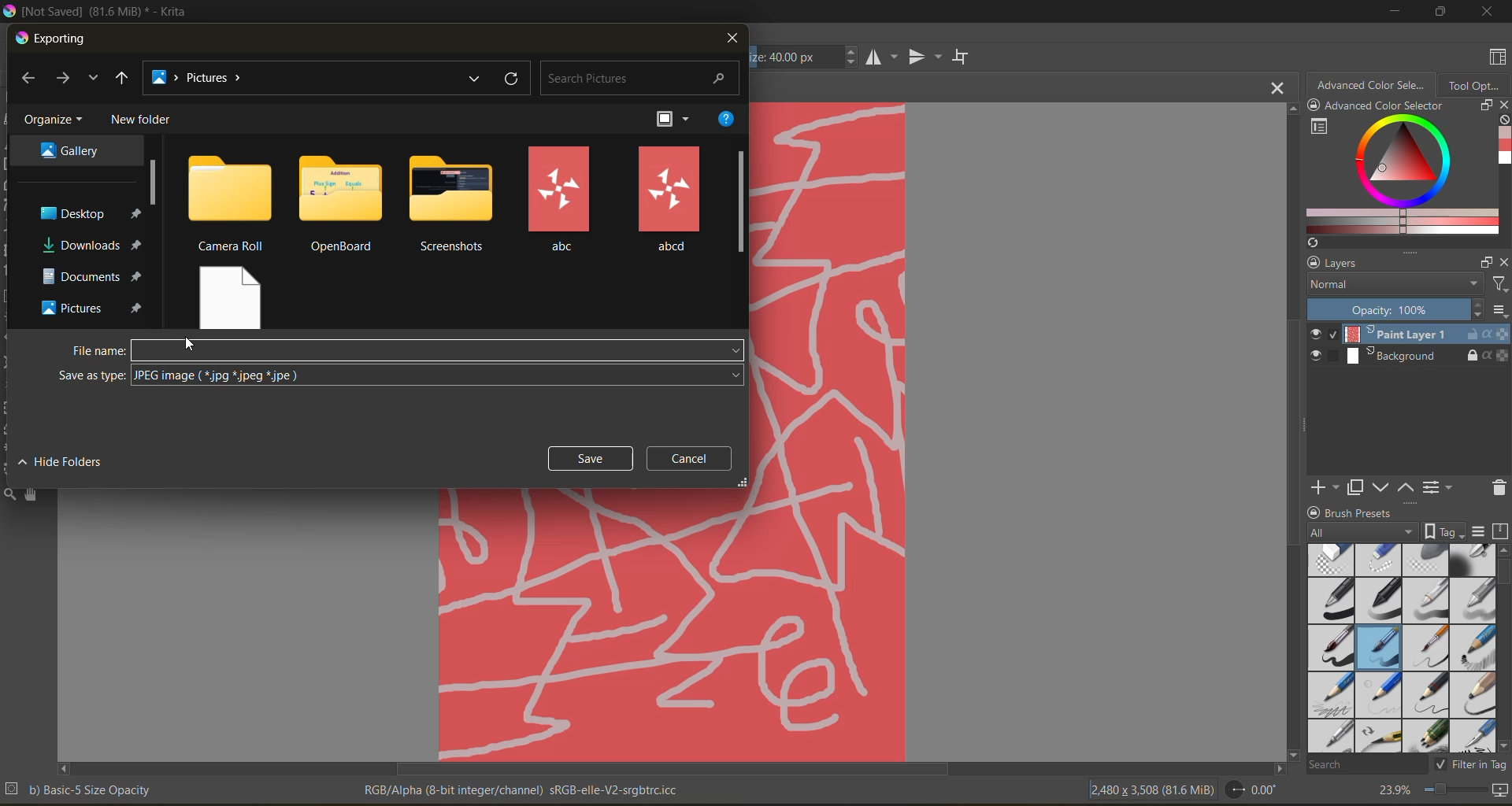 The image size is (1512, 806). I want to click on layer, so click(1410, 357).